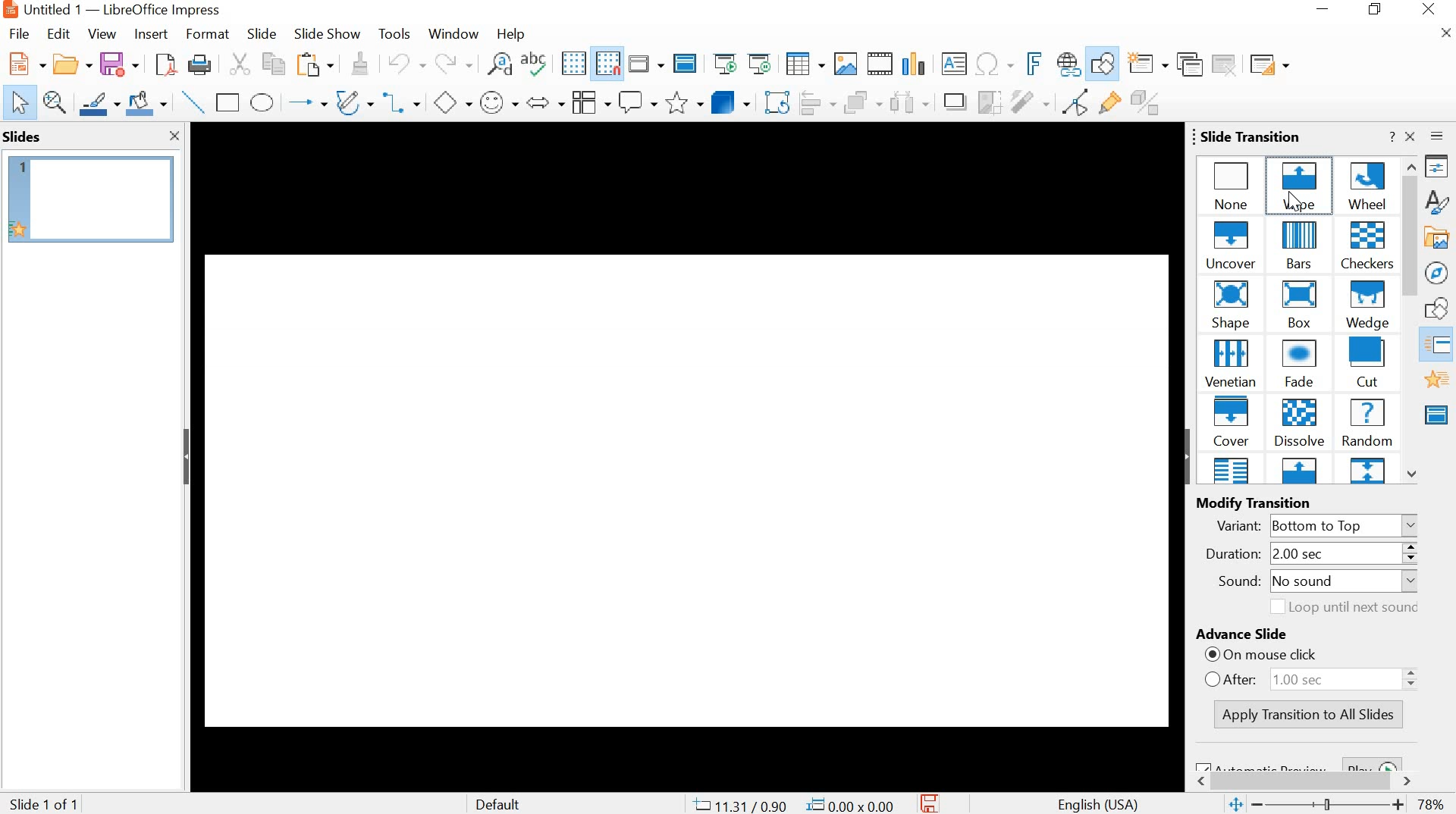  I want to click on WHEEL, so click(1367, 185).